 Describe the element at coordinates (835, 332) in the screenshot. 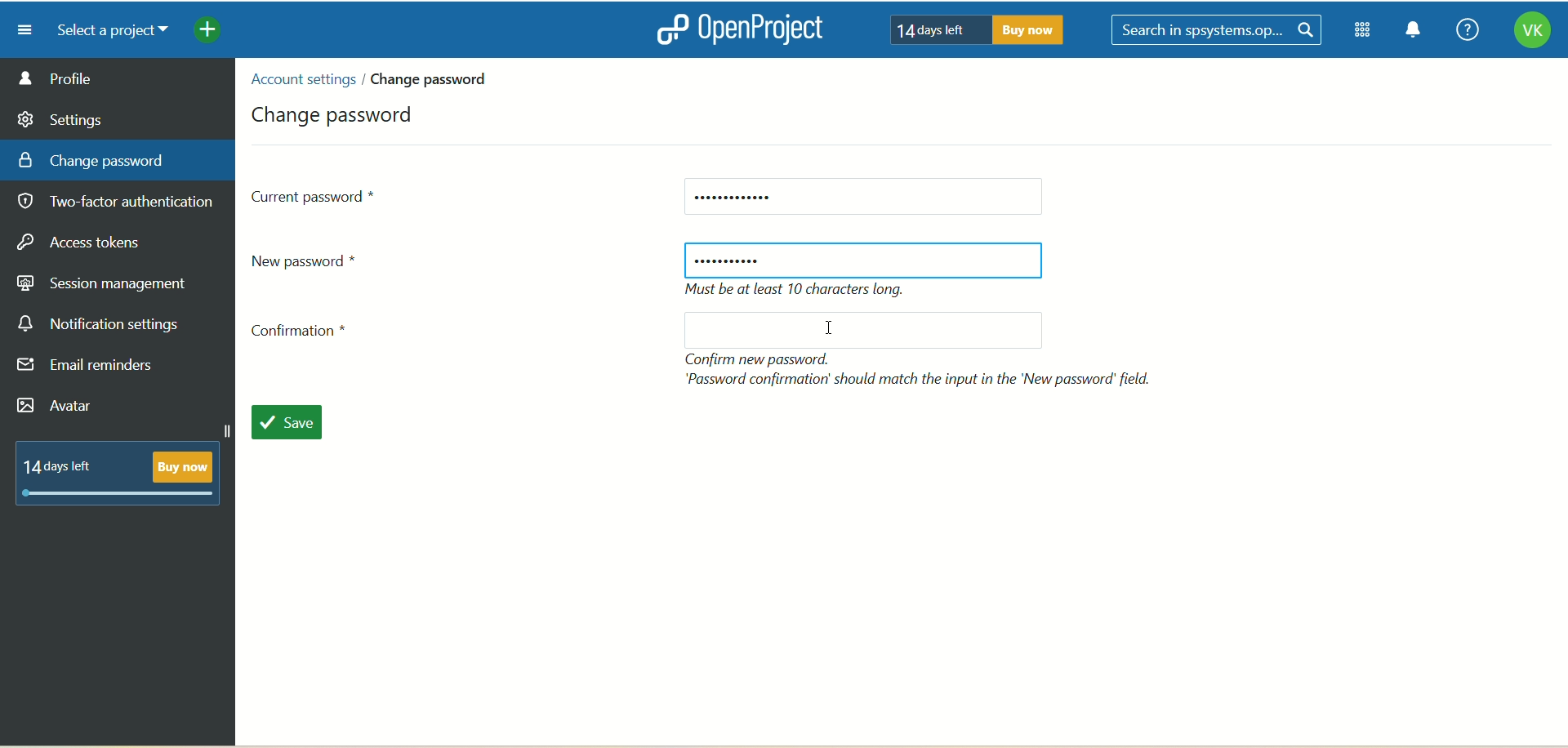

I see `cursor` at that location.